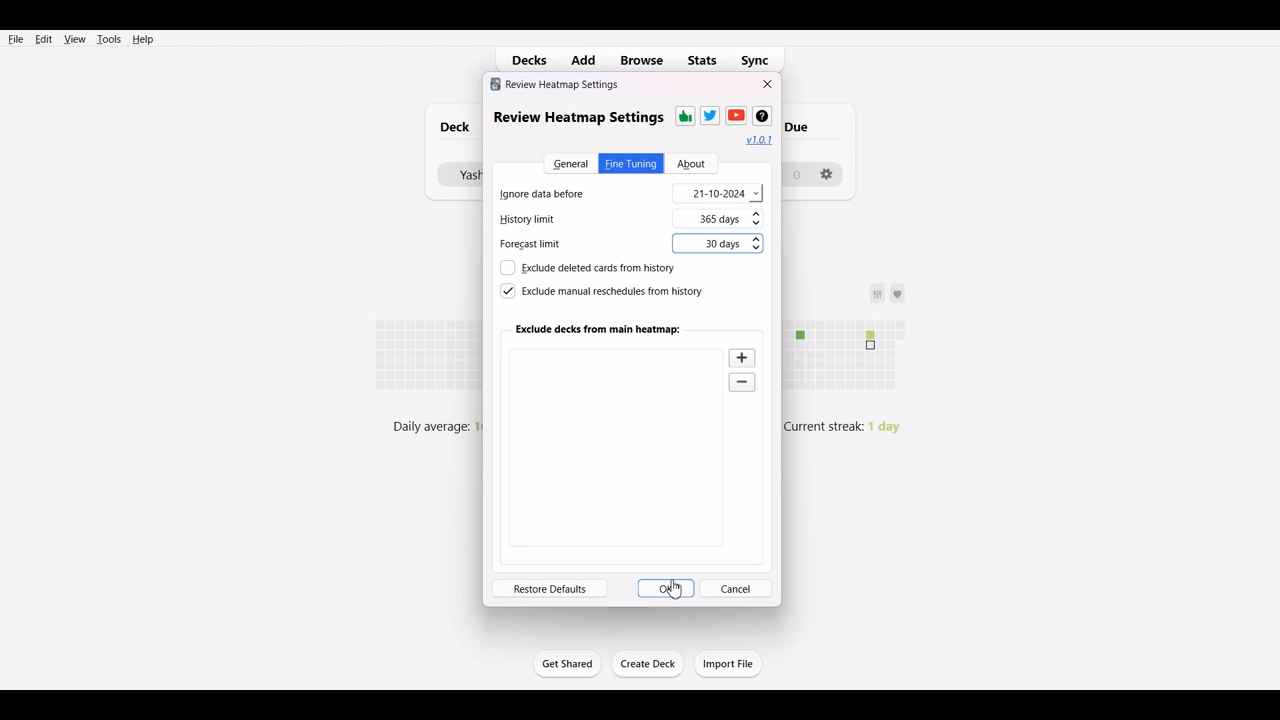 This screenshot has width=1280, height=720. Describe the element at coordinates (566, 663) in the screenshot. I see `Get Started` at that location.